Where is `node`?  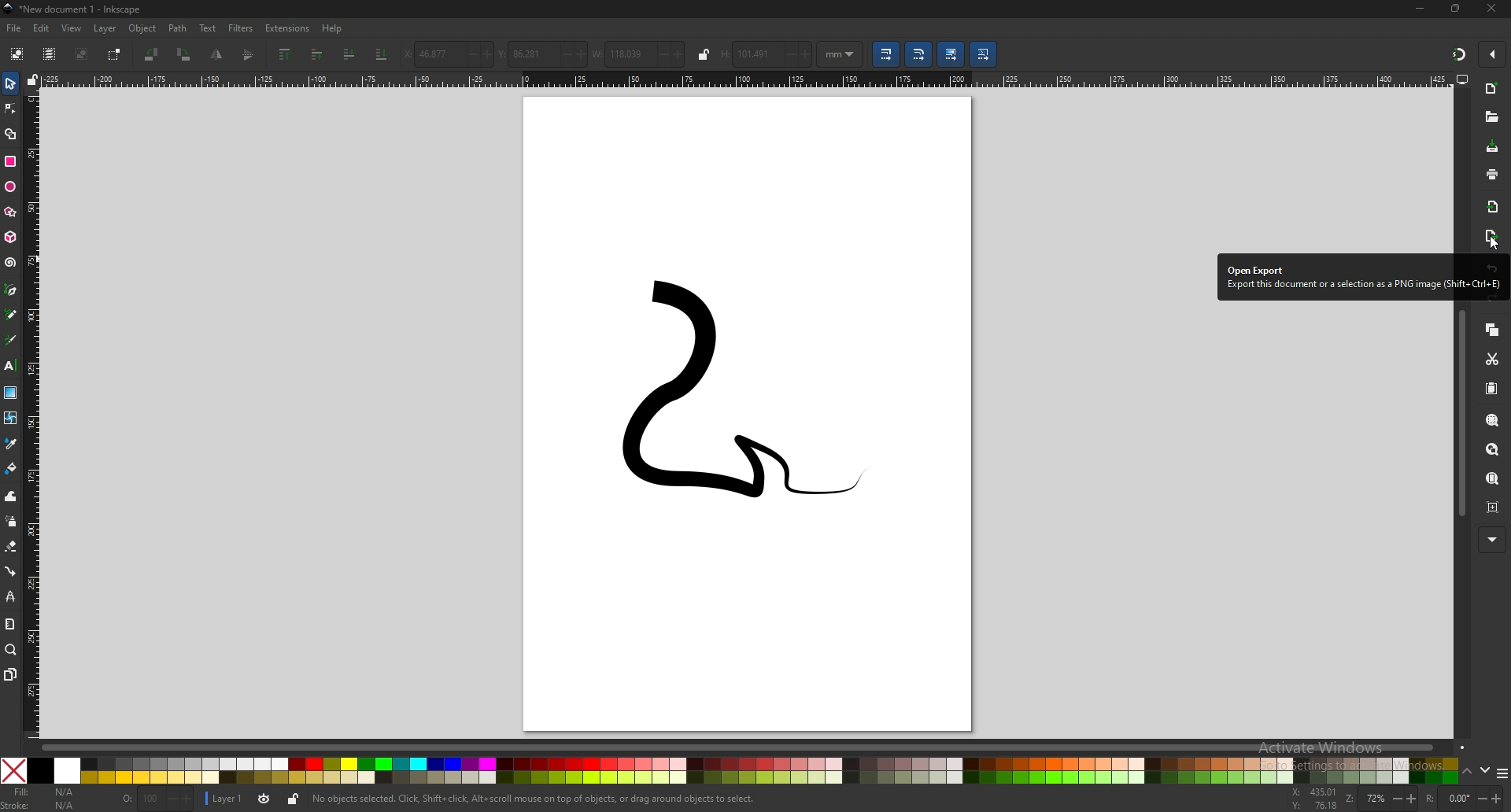 node is located at coordinates (10, 109).